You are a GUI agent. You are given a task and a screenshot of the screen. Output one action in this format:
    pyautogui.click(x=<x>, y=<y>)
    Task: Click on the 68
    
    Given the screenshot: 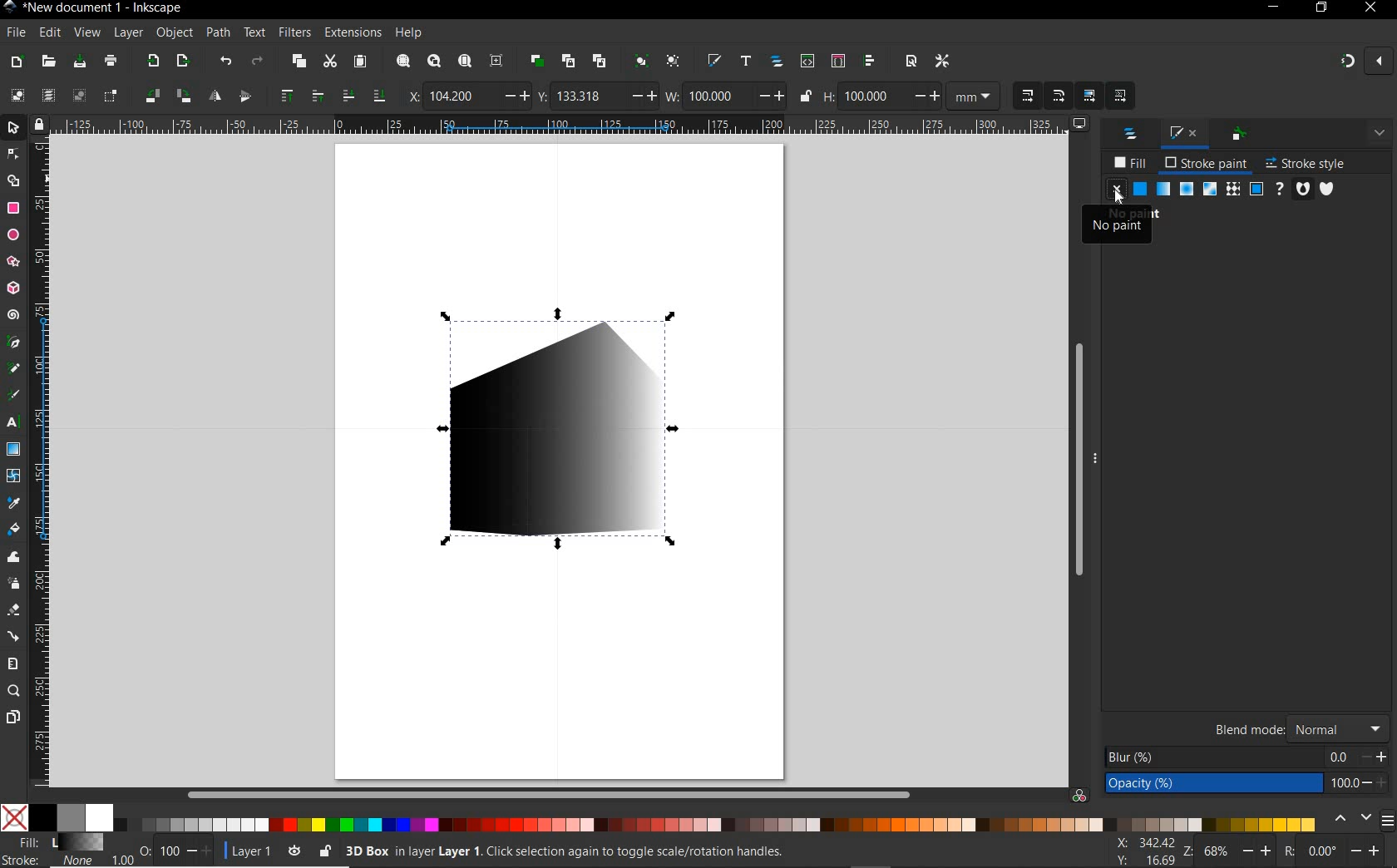 What is the action you would take?
    pyautogui.click(x=1218, y=851)
    